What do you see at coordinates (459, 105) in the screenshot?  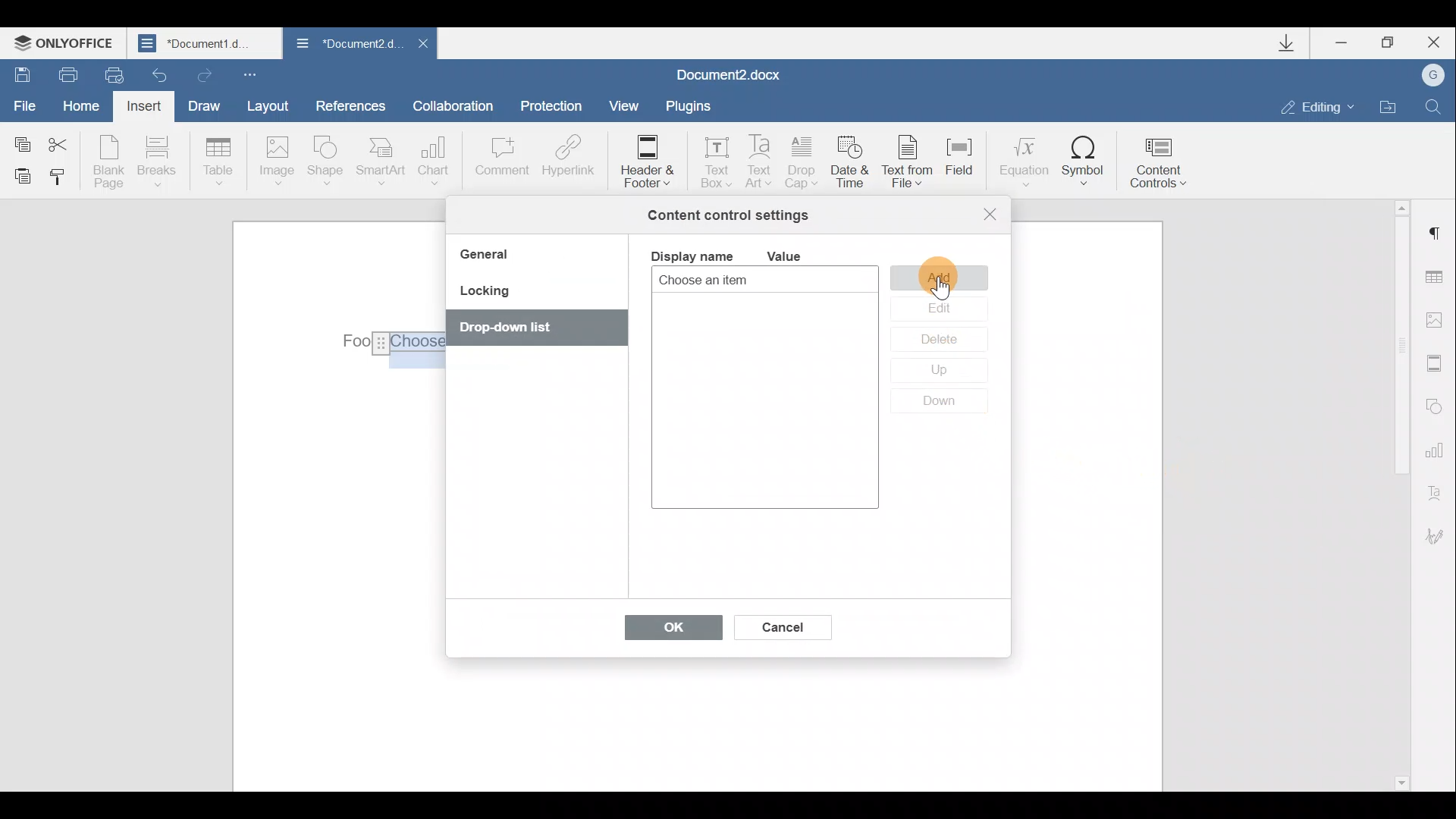 I see `Collaboration` at bounding box center [459, 105].